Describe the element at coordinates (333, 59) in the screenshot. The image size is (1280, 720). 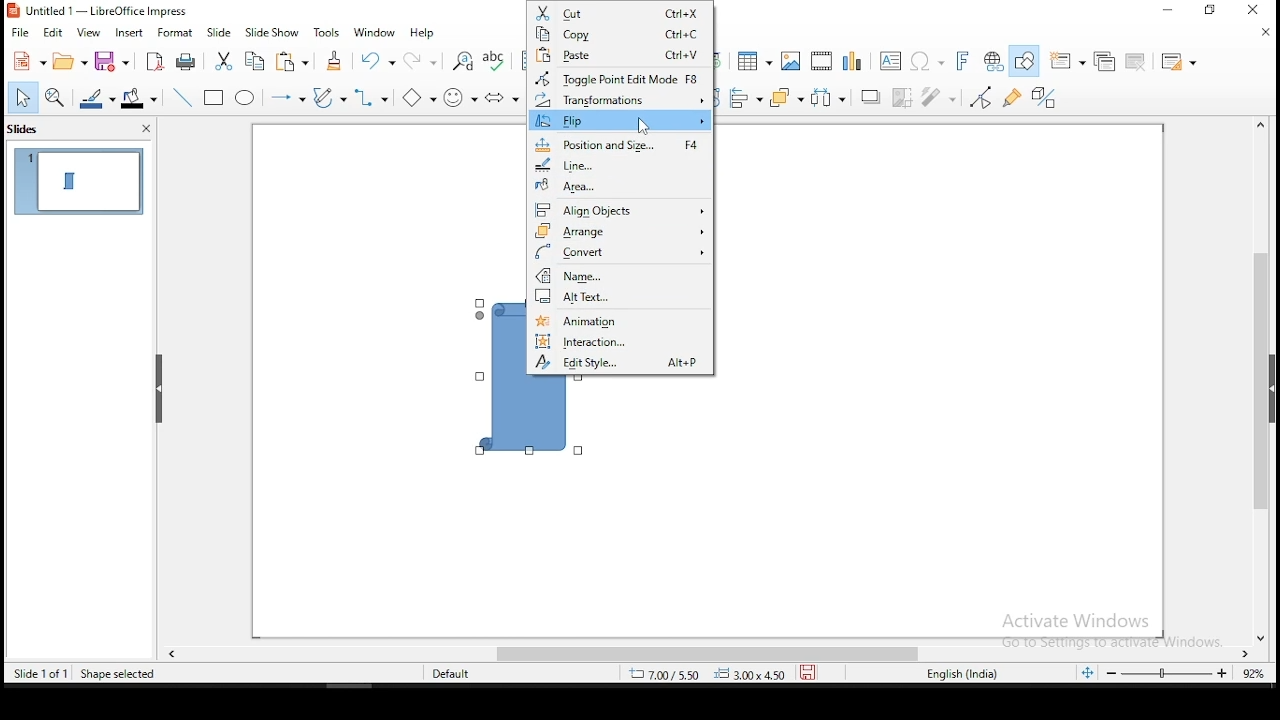
I see `clone formatting` at that location.